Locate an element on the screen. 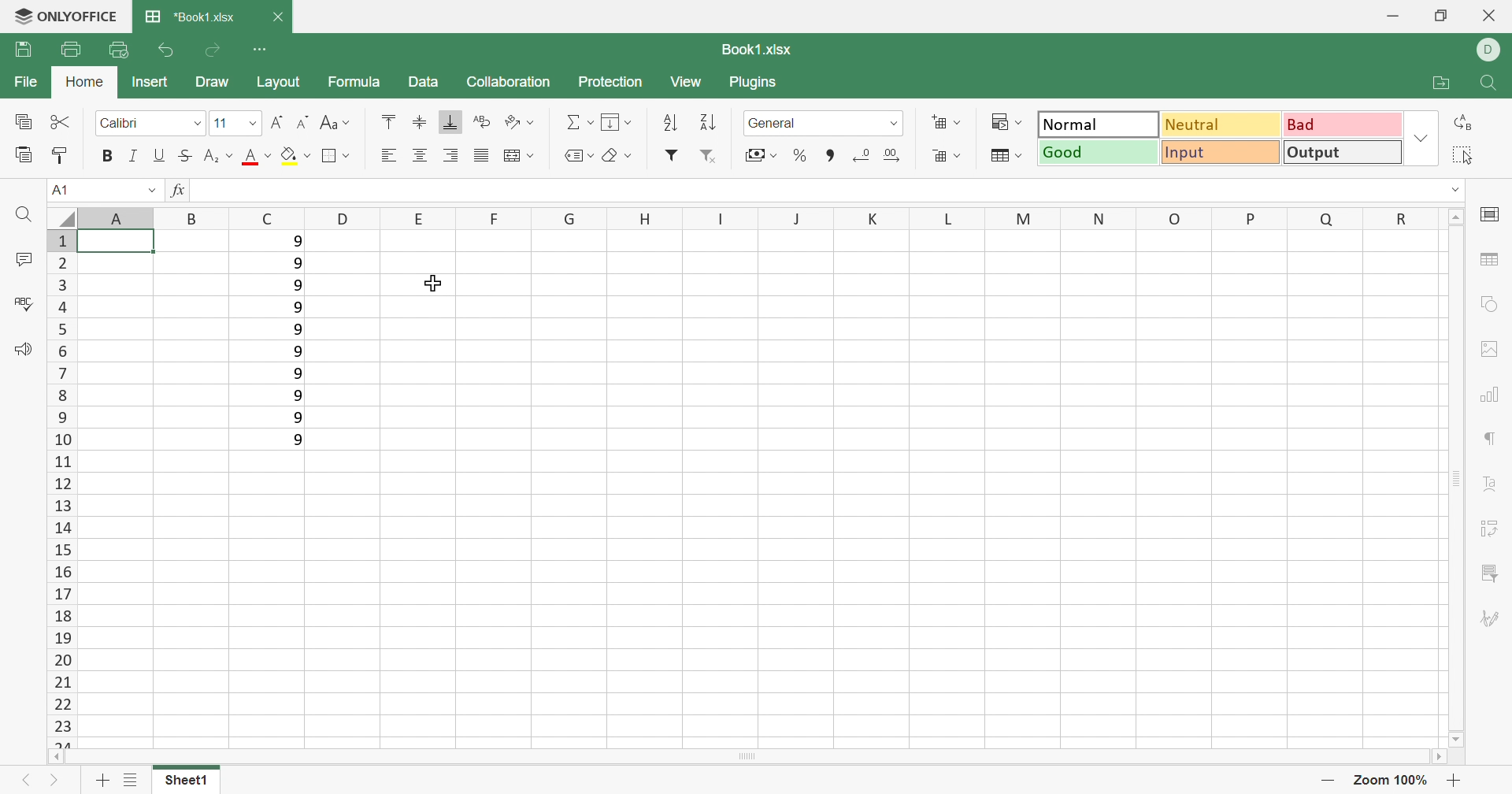 The height and width of the screenshot is (794, 1512). Home is located at coordinates (83, 82).